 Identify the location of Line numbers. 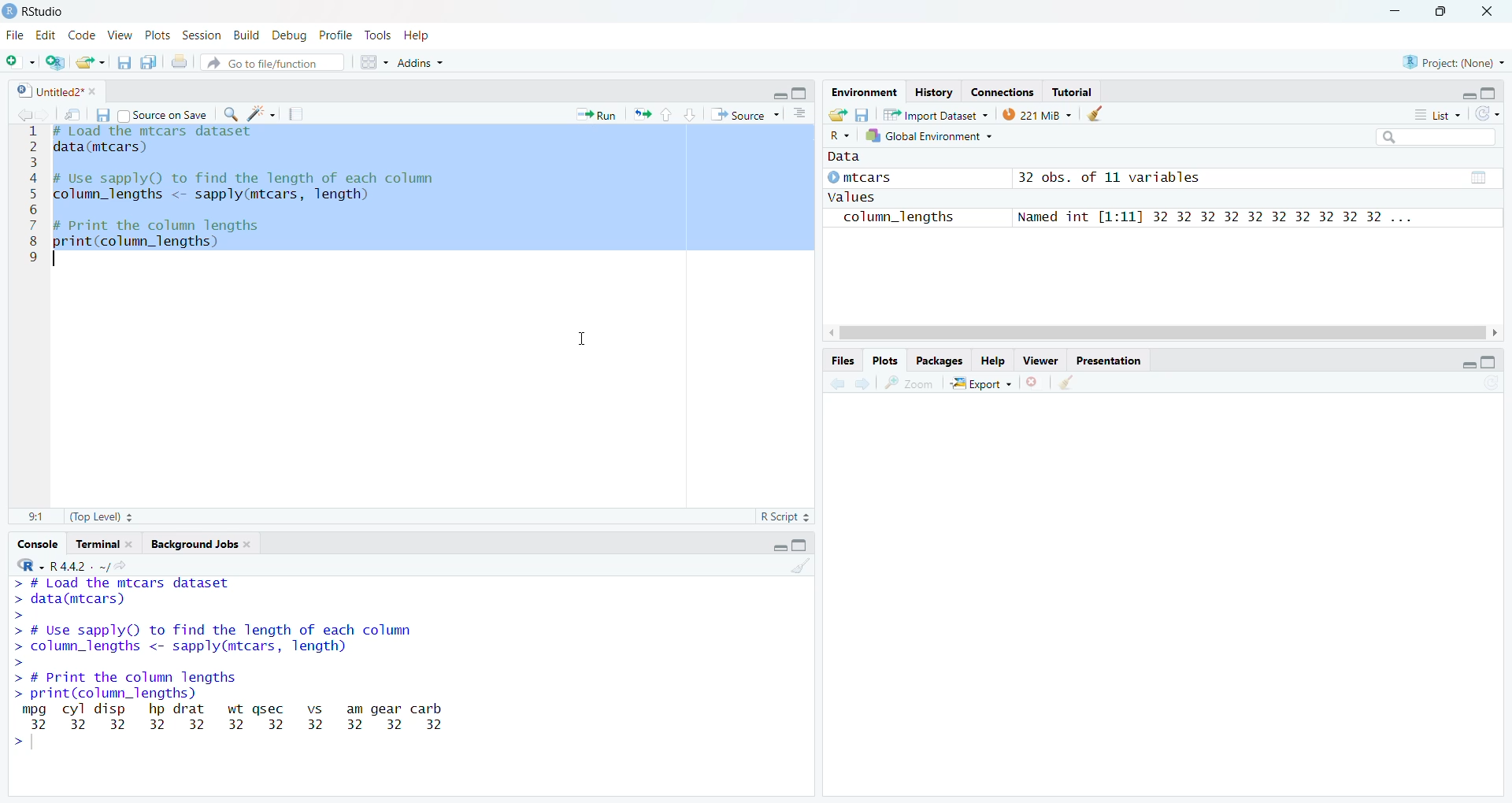
(28, 196).